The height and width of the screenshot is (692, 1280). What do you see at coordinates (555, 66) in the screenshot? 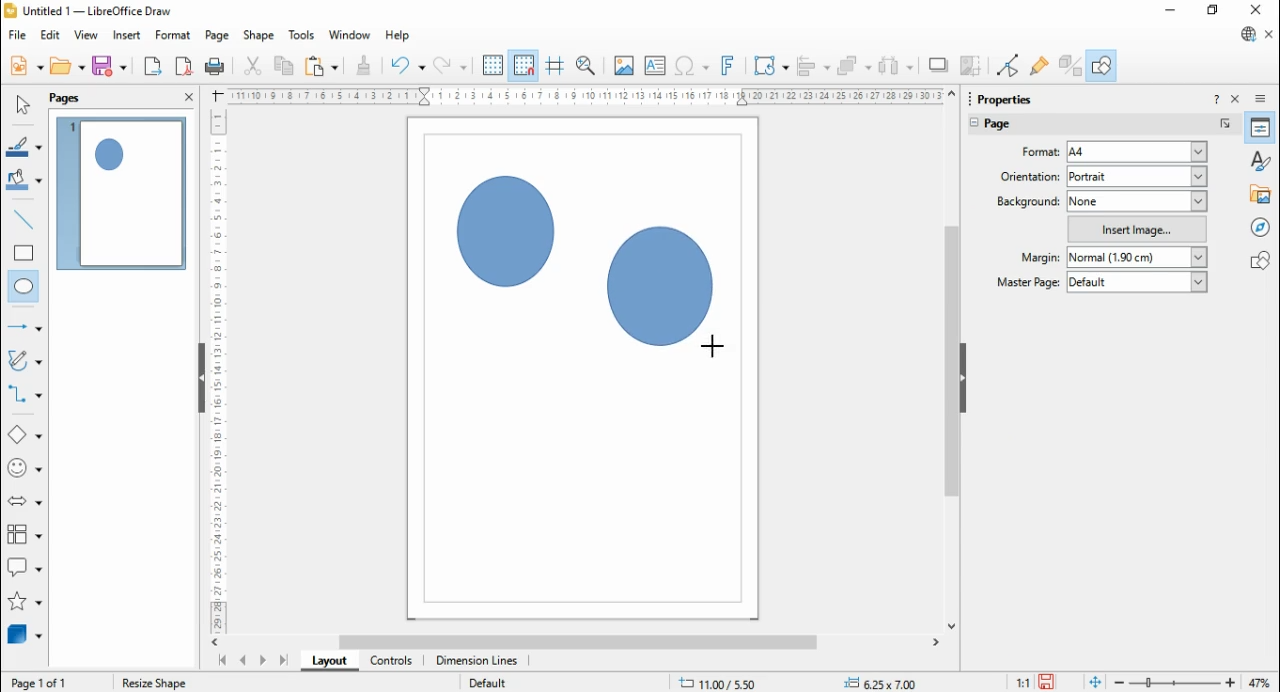
I see `helplines while moving` at bounding box center [555, 66].